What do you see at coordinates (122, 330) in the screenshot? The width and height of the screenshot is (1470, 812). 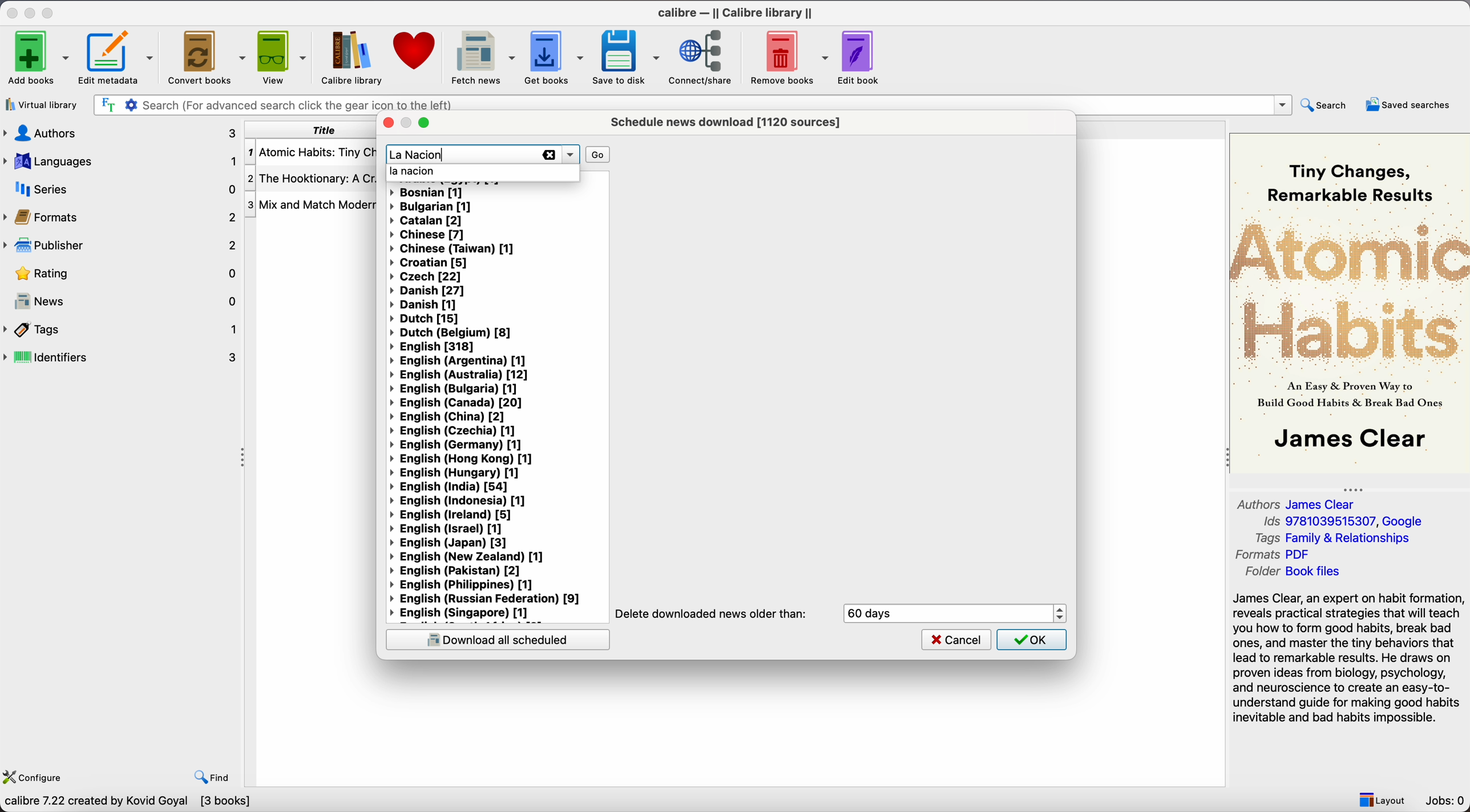 I see `tags` at bounding box center [122, 330].